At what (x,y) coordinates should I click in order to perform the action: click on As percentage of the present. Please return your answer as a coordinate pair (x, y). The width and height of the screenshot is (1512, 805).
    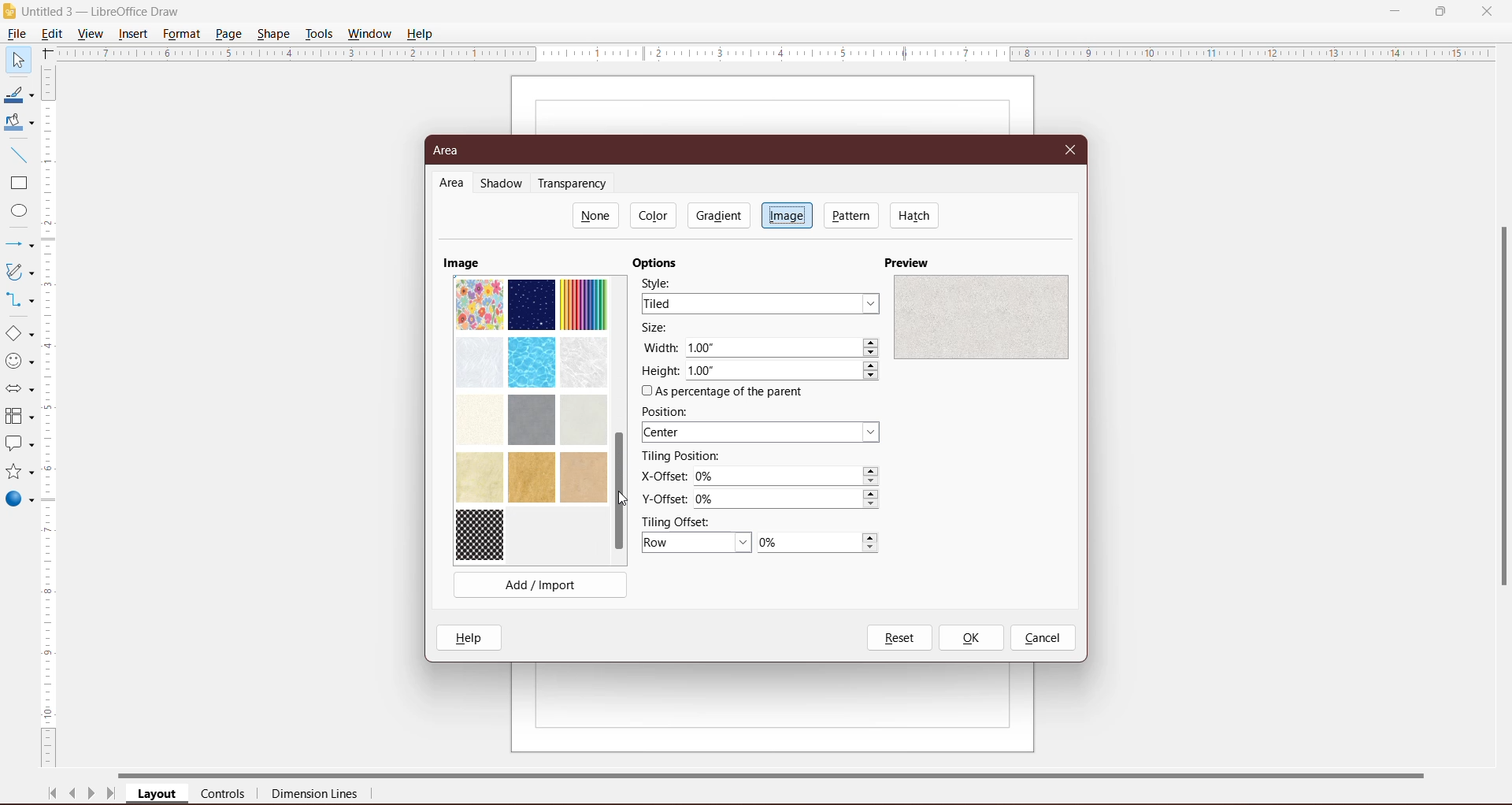
    Looking at the image, I should click on (725, 392).